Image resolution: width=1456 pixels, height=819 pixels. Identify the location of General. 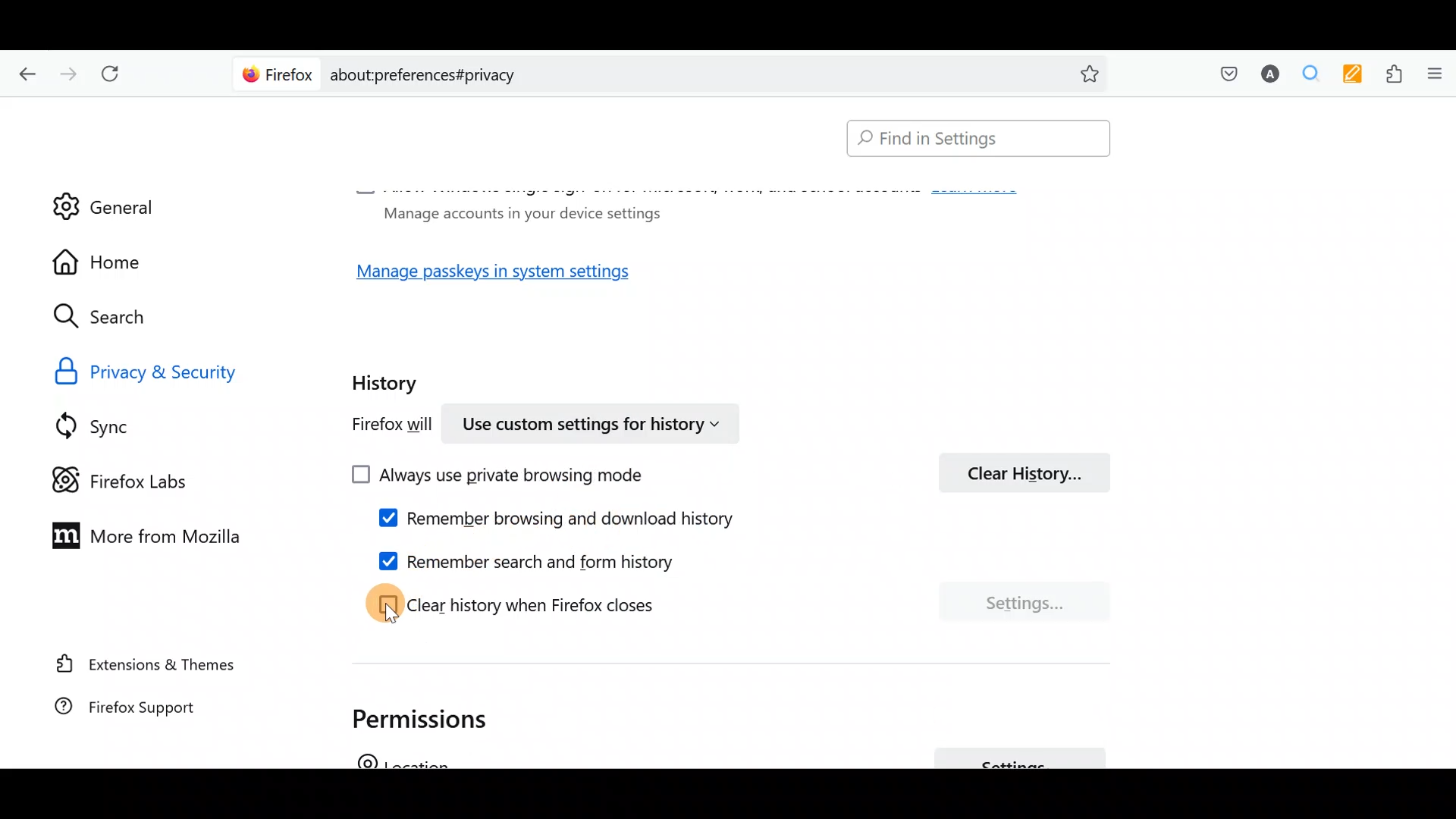
(104, 196).